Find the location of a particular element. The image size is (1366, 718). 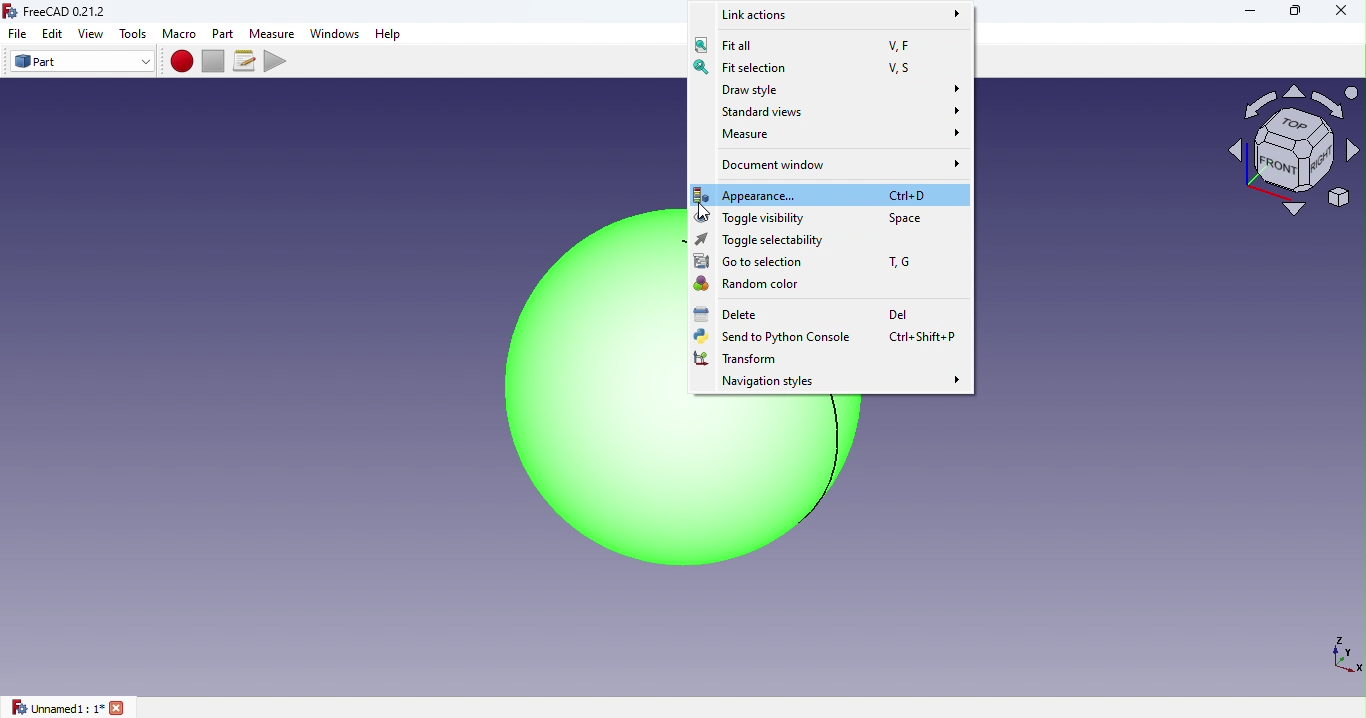

Macro recording is located at coordinates (183, 61).